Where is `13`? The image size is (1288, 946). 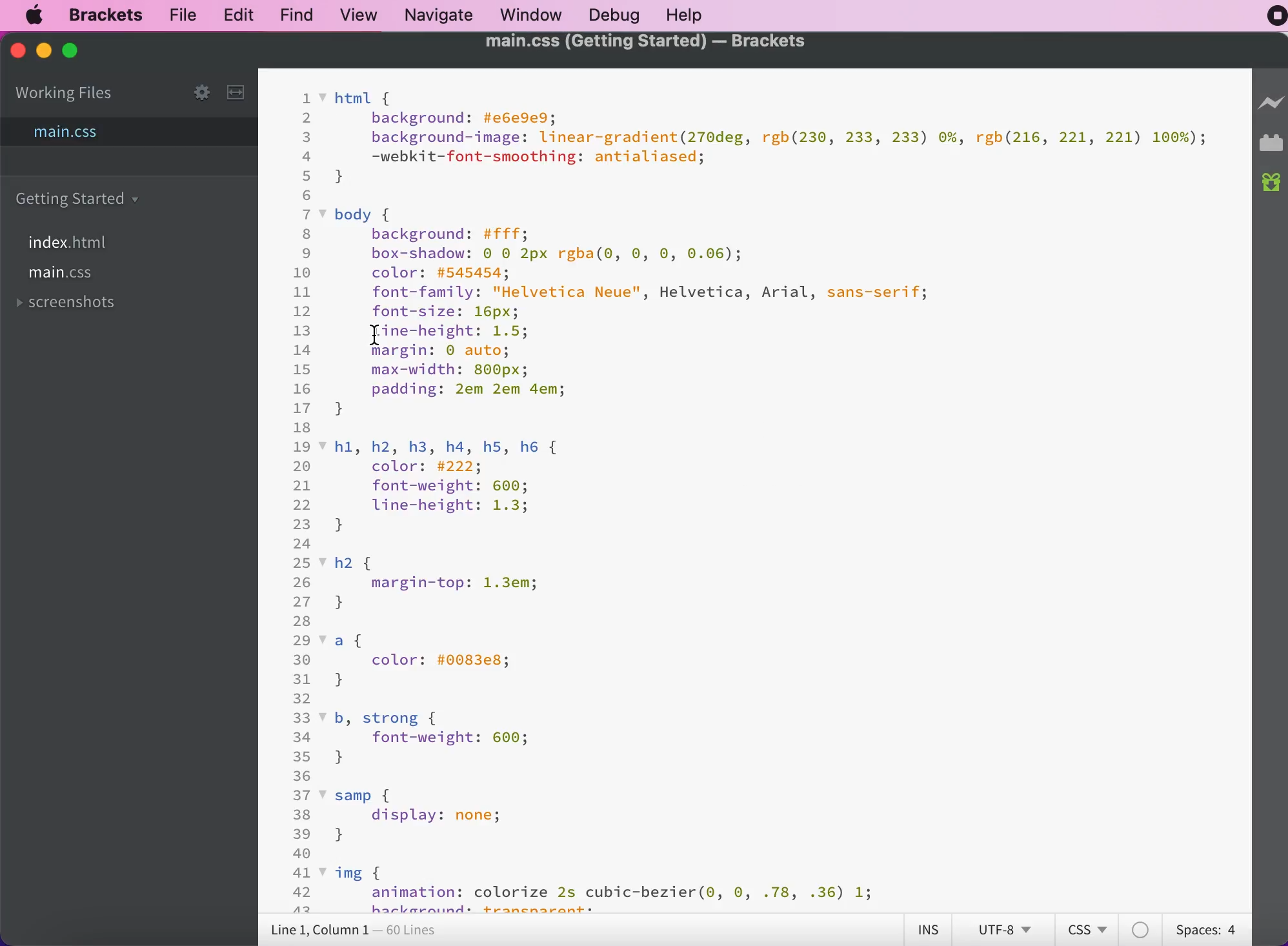
13 is located at coordinates (302, 331).